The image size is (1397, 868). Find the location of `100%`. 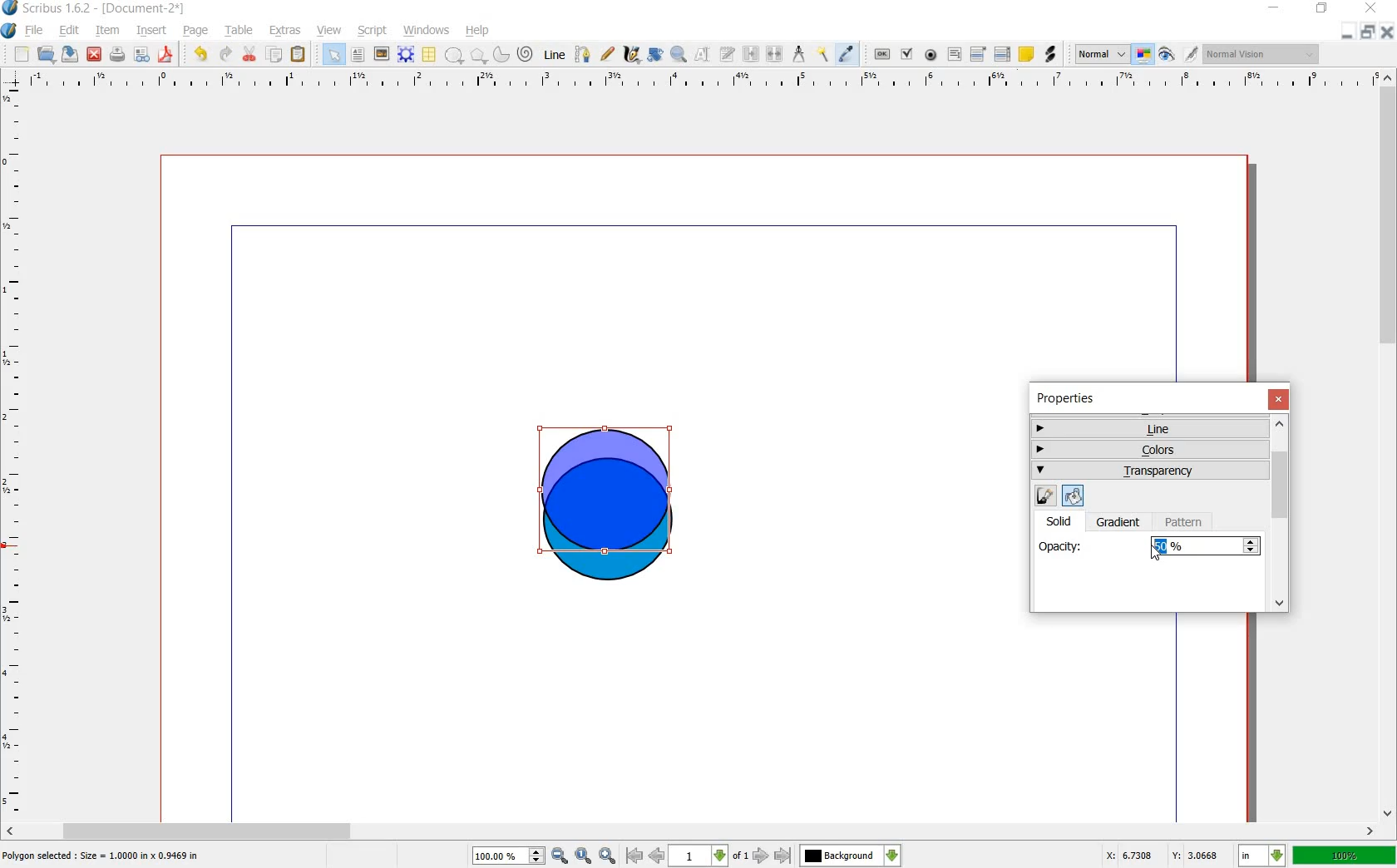

100% is located at coordinates (1345, 857).